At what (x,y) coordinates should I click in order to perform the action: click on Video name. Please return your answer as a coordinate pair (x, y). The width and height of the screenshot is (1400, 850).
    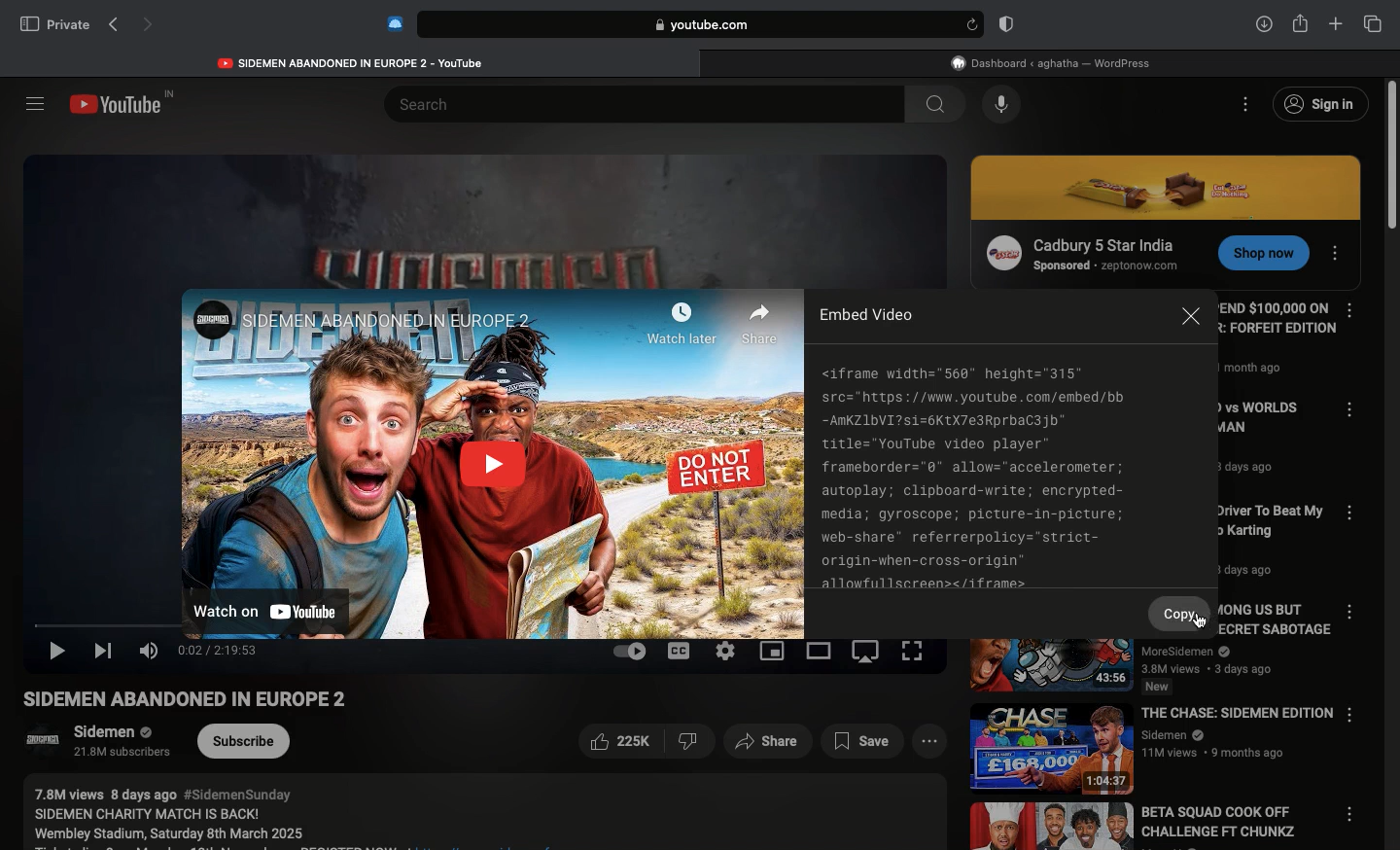
    Looking at the image, I should click on (1144, 827).